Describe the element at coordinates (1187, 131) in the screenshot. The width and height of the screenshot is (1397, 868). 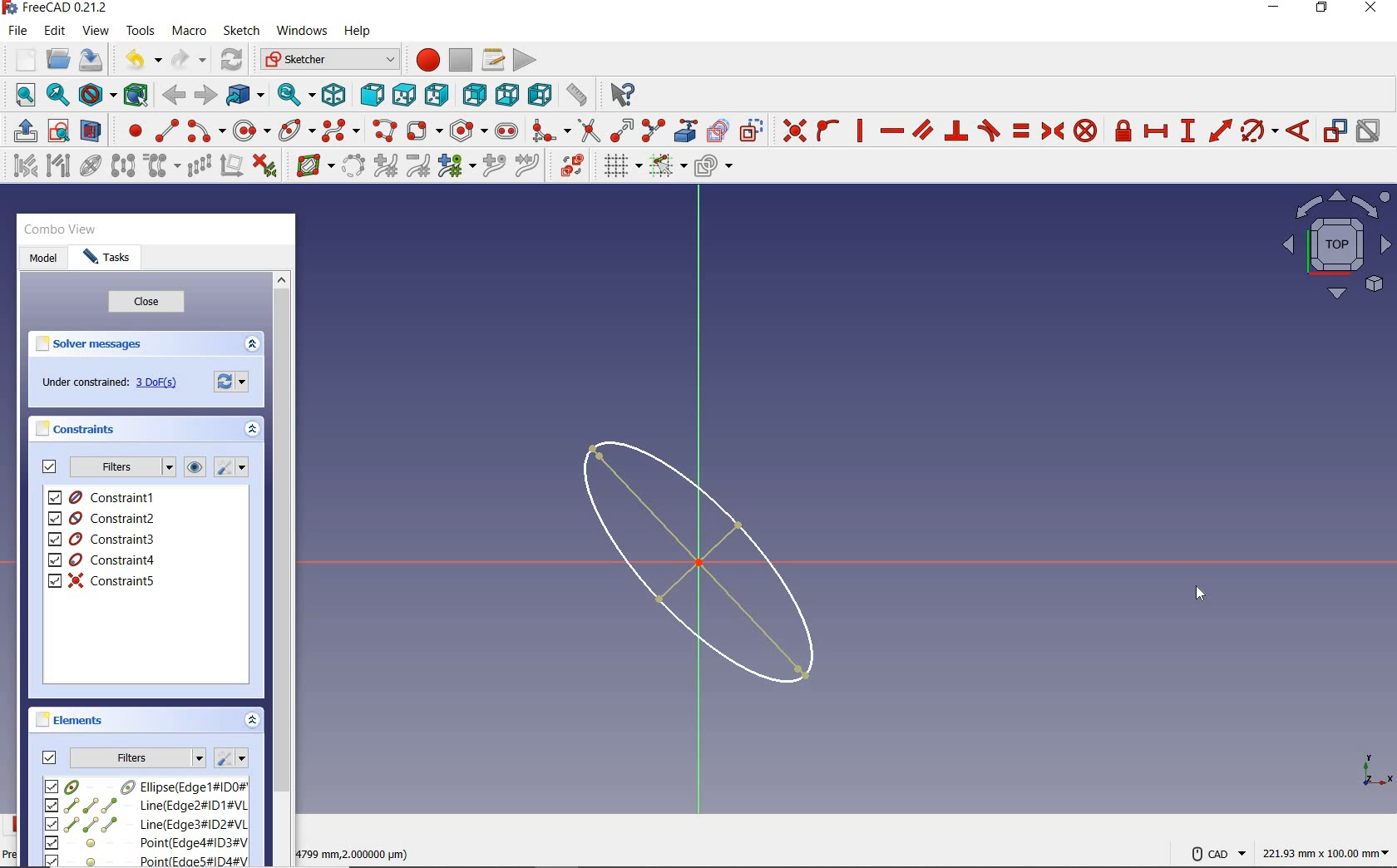
I see `constrain vertical distance` at that location.